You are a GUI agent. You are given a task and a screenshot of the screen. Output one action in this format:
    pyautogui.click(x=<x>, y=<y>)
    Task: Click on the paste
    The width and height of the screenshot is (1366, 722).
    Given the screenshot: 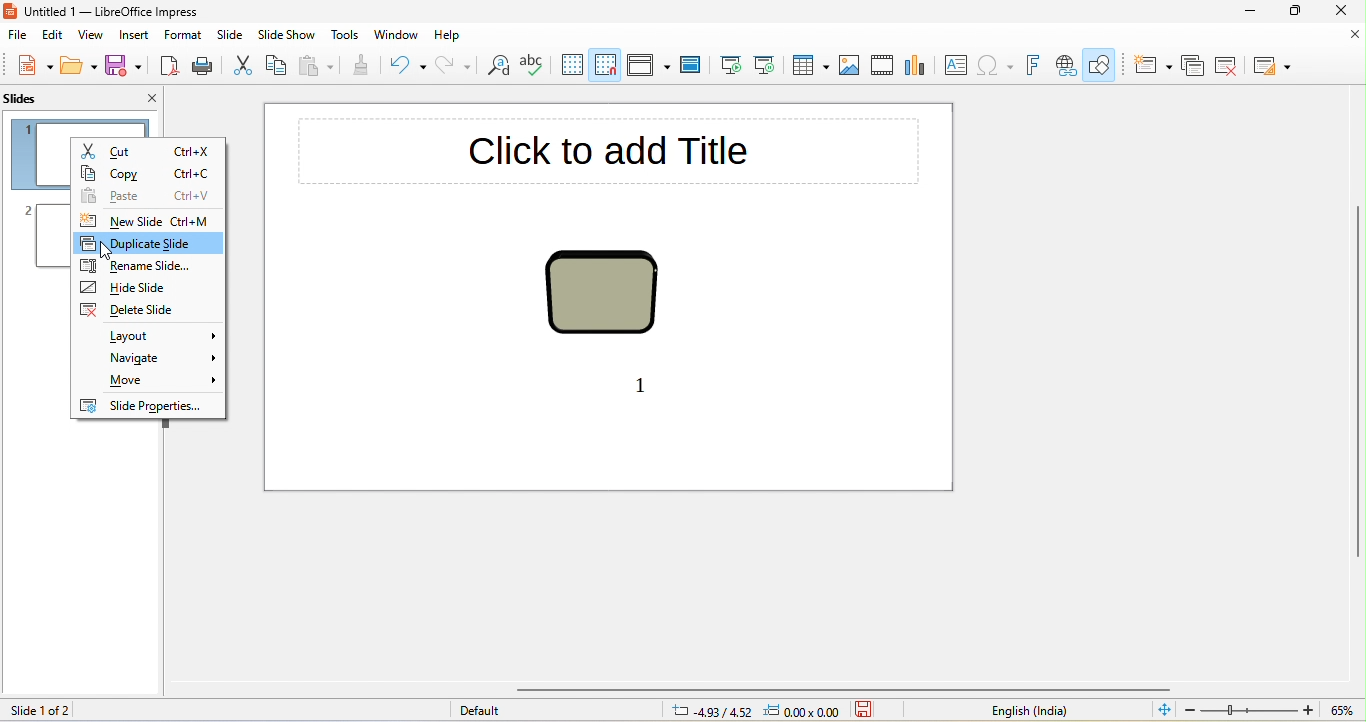 What is the action you would take?
    pyautogui.click(x=317, y=69)
    